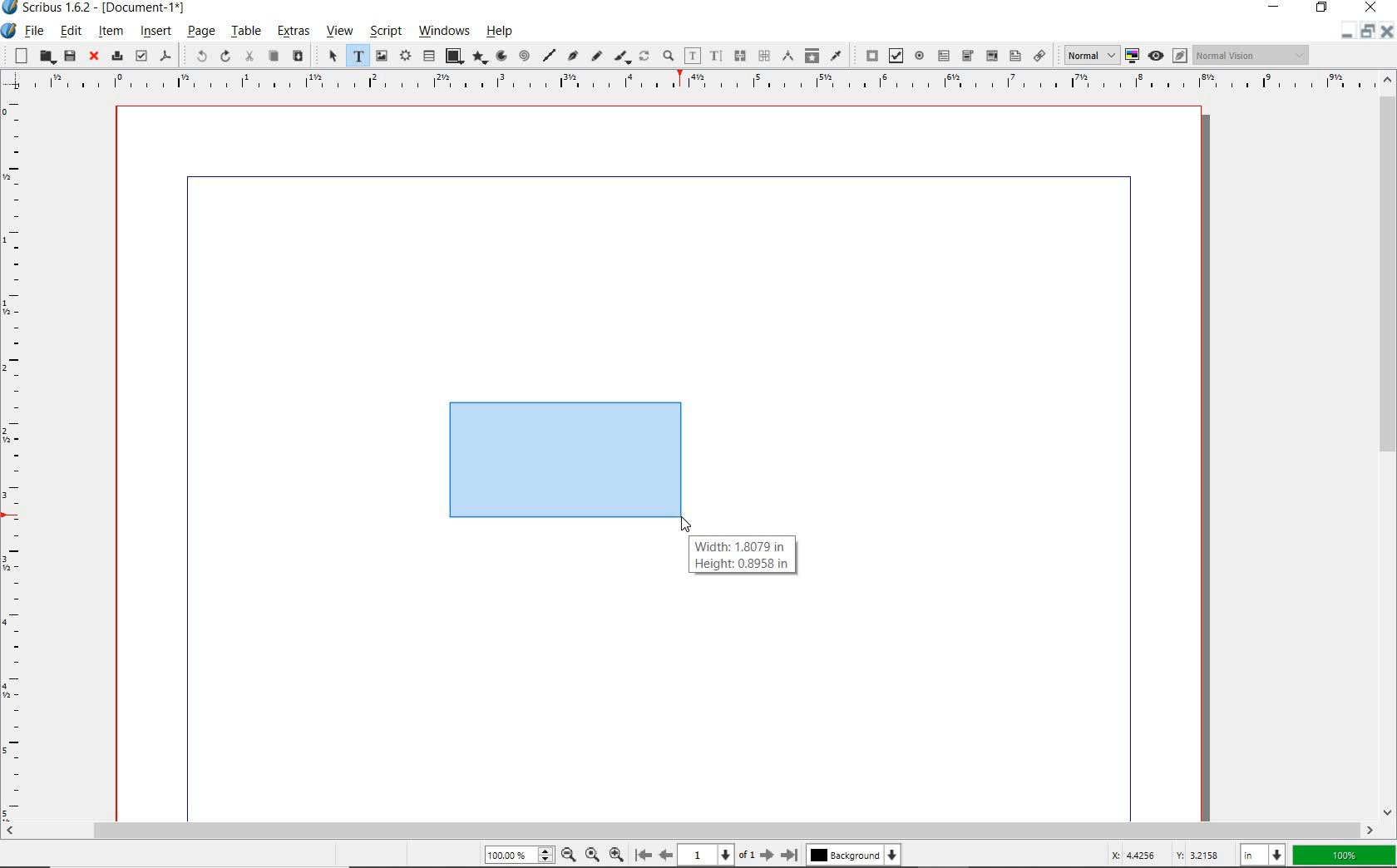  Describe the element at coordinates (690, 830) in the screenshot. I see `scrollbar` at that location.